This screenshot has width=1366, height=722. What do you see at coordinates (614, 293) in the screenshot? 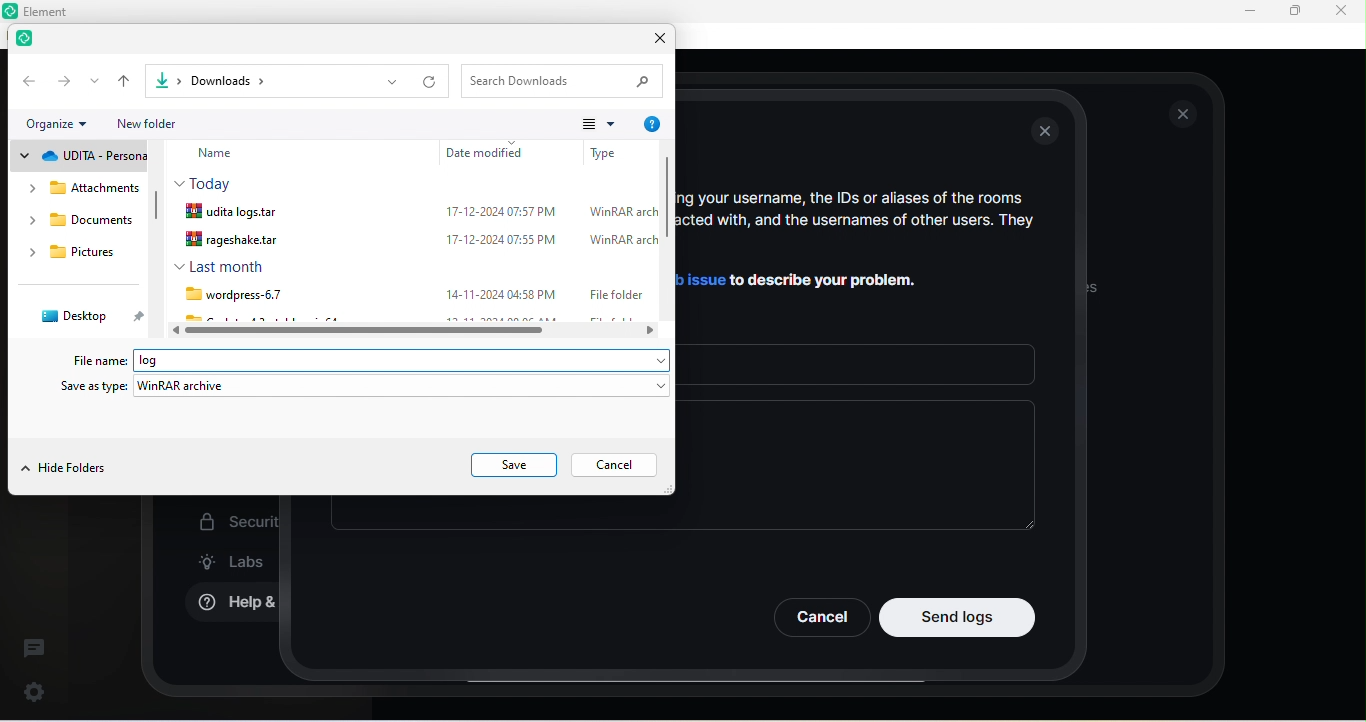
I see `File folder` at bounding box center [614, 293].